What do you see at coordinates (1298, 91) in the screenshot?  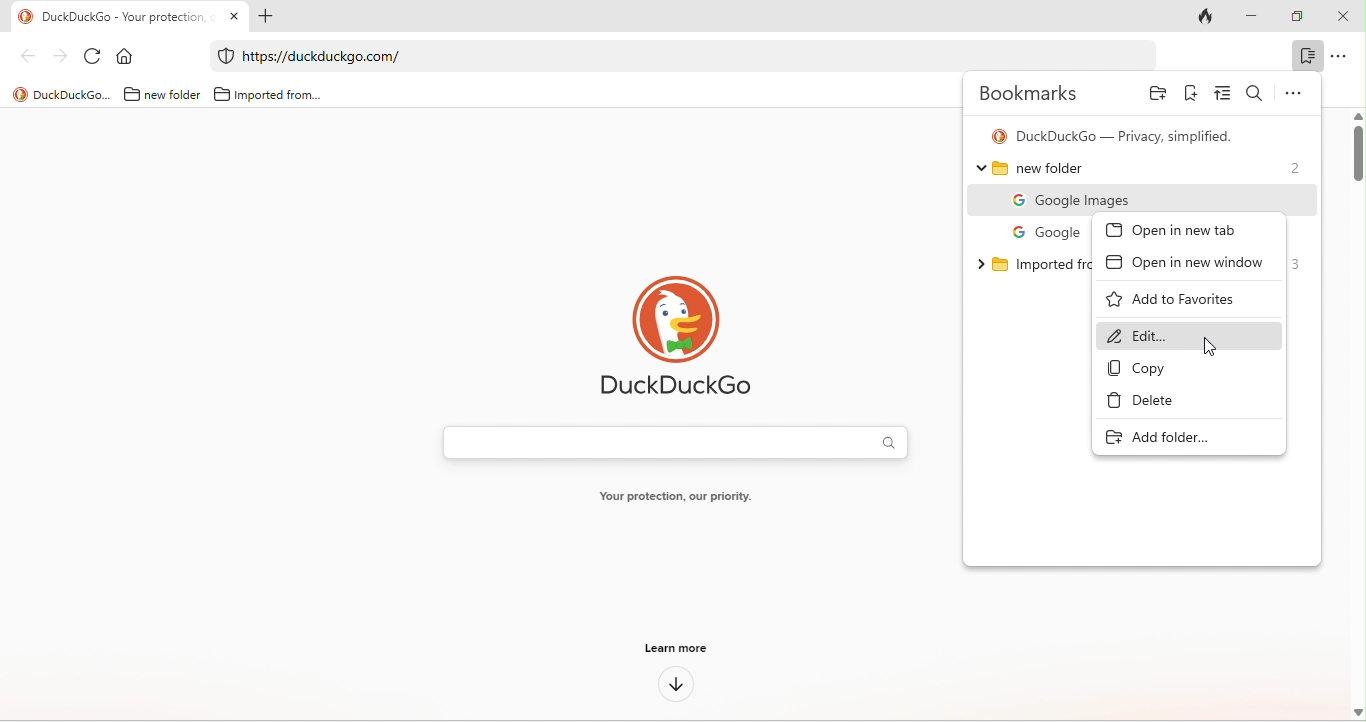 I see `options` at bounding box center [1298, 91].